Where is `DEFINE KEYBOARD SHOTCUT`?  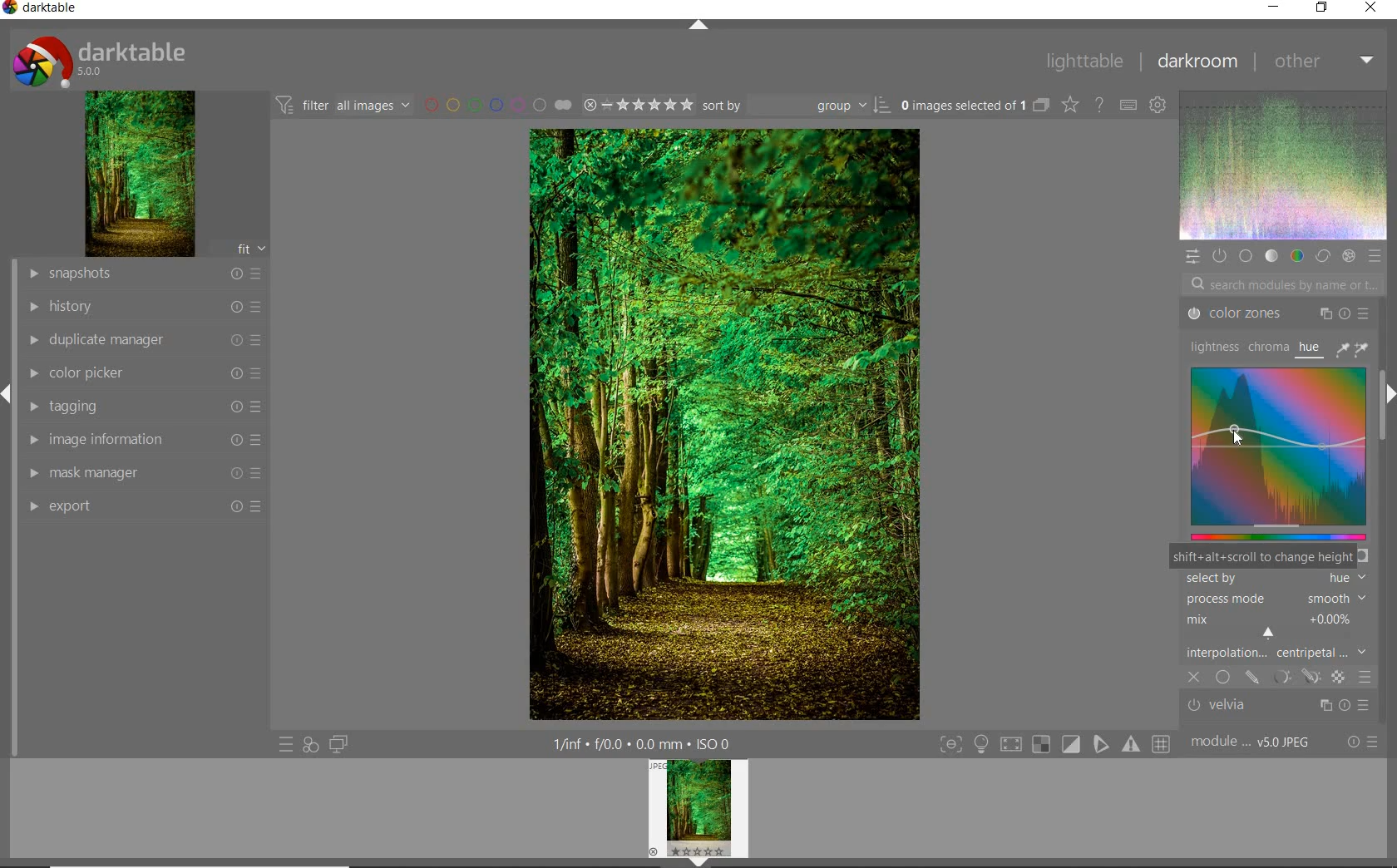 DEFINE KEYBOARD SHOTCUT is located at coordinates (1129, 104).